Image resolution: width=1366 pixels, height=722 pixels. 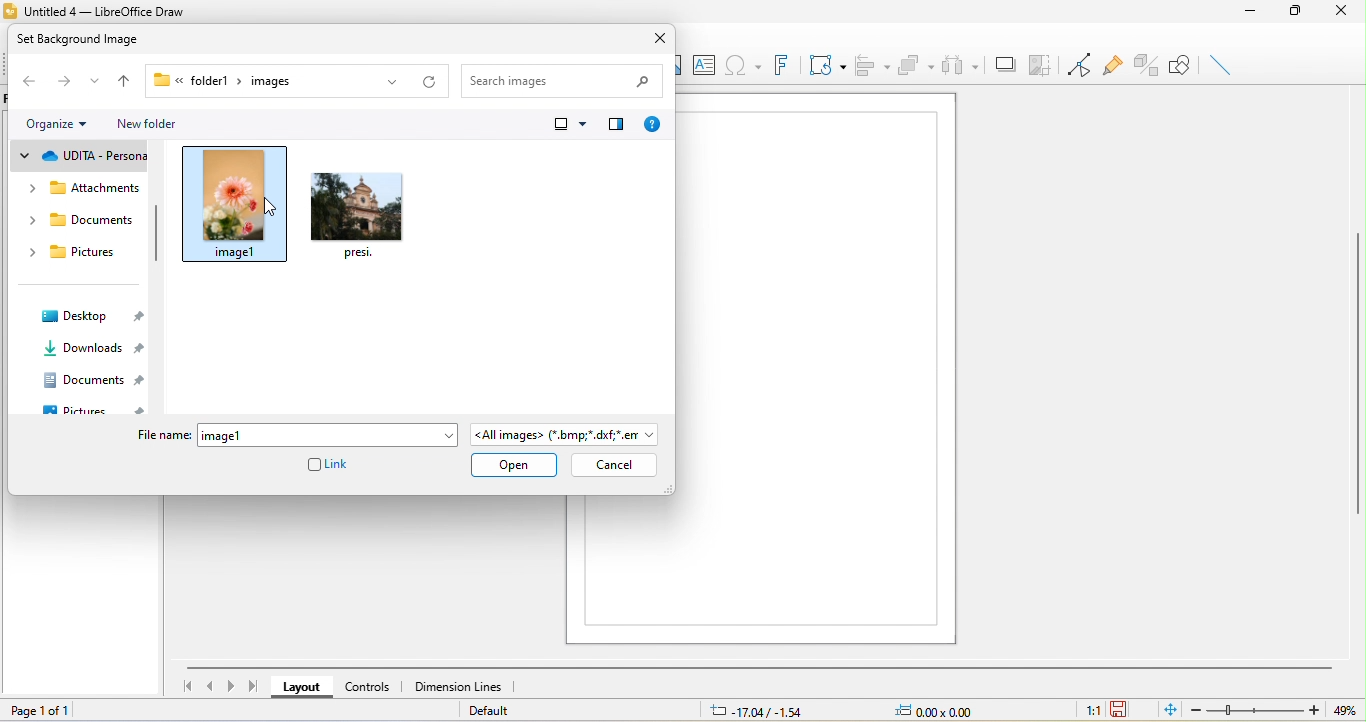 I want to click on align object, so click(x=872, y=65).